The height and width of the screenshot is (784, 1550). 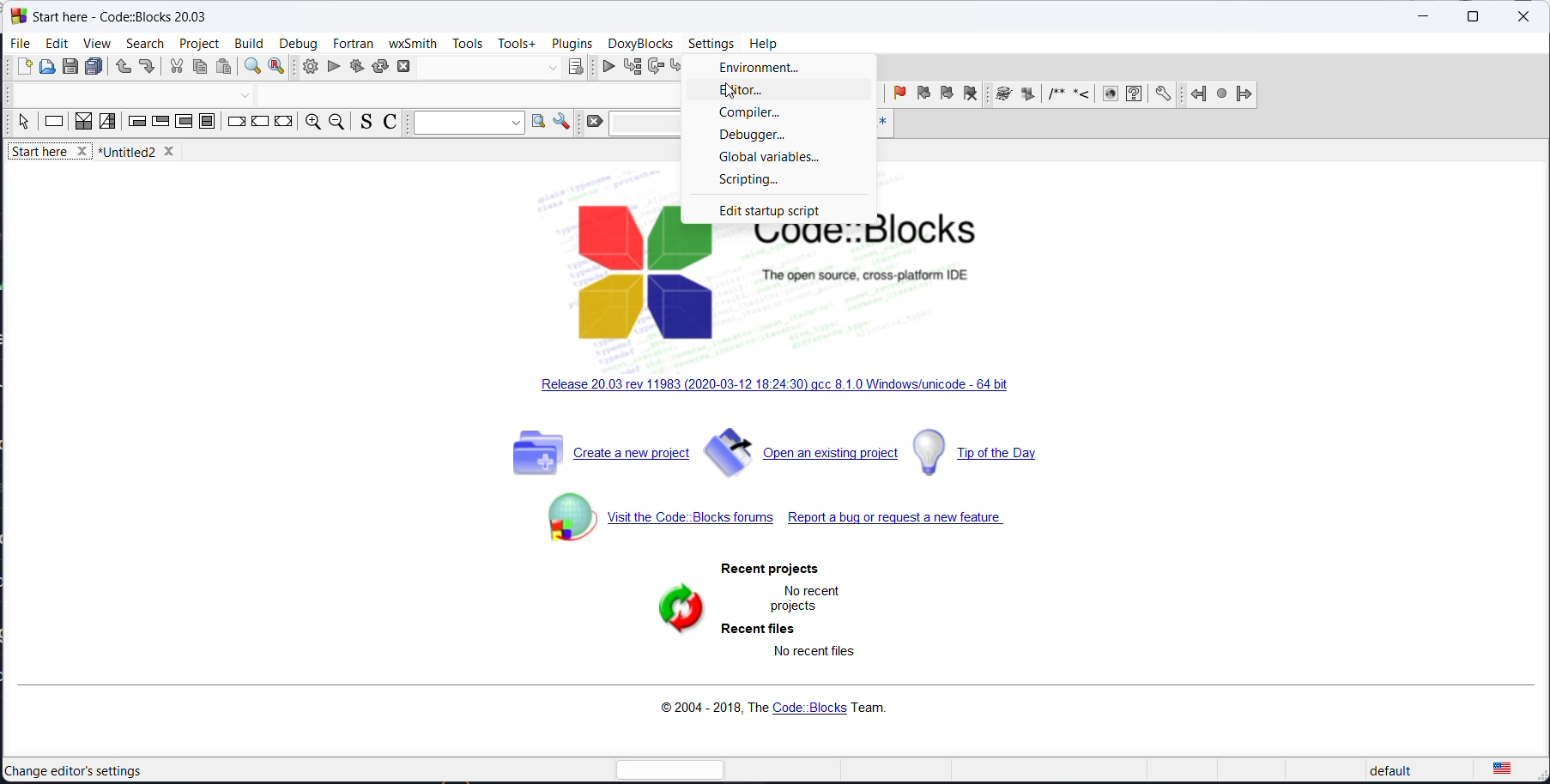 I want to click on block instruction, so click(x=209, y=124).